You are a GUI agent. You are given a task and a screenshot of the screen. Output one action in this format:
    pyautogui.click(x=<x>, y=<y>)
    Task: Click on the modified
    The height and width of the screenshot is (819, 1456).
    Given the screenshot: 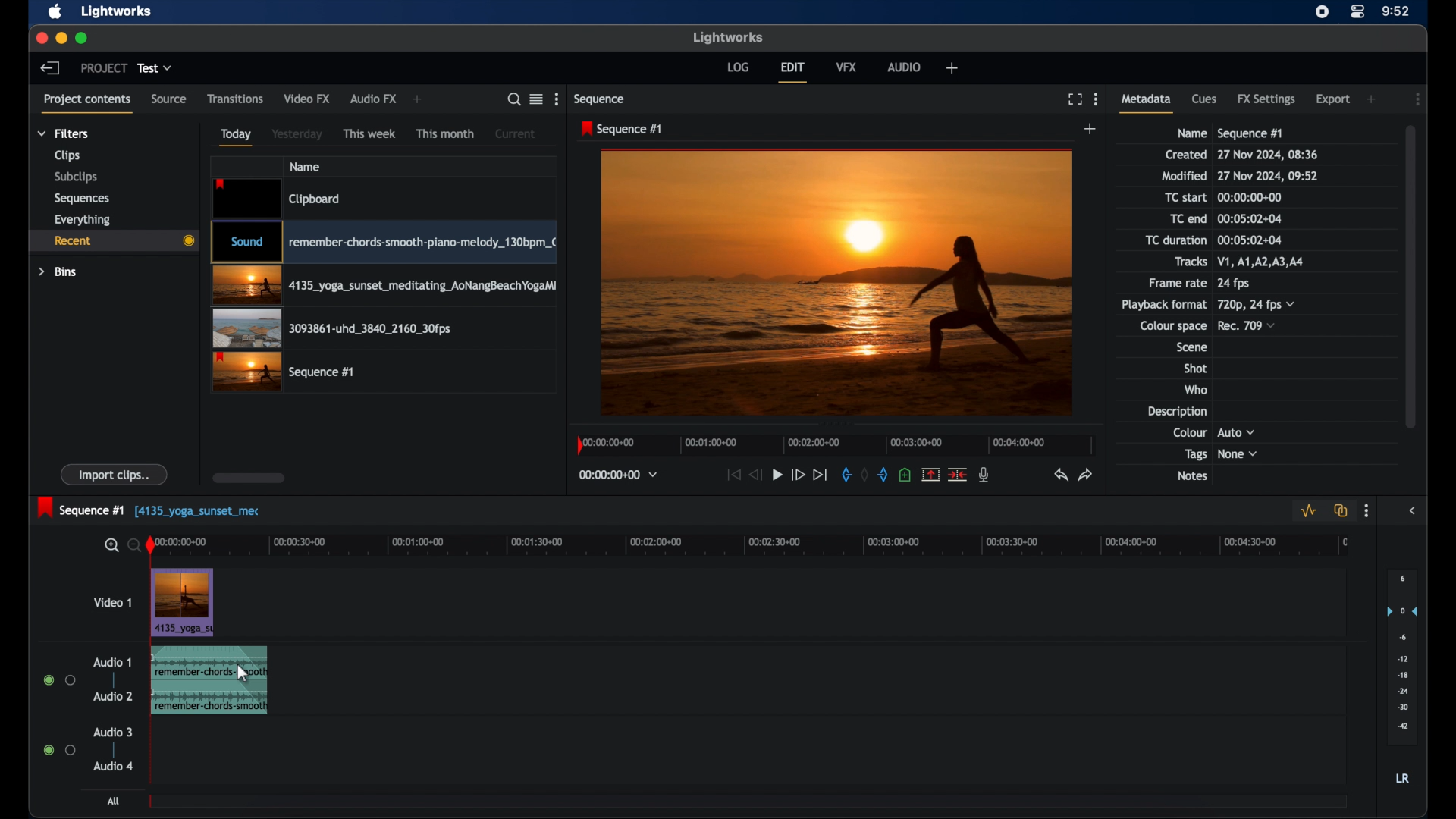 What is the action you would take?
    pyautogui.click(x=1184, y=176)
    